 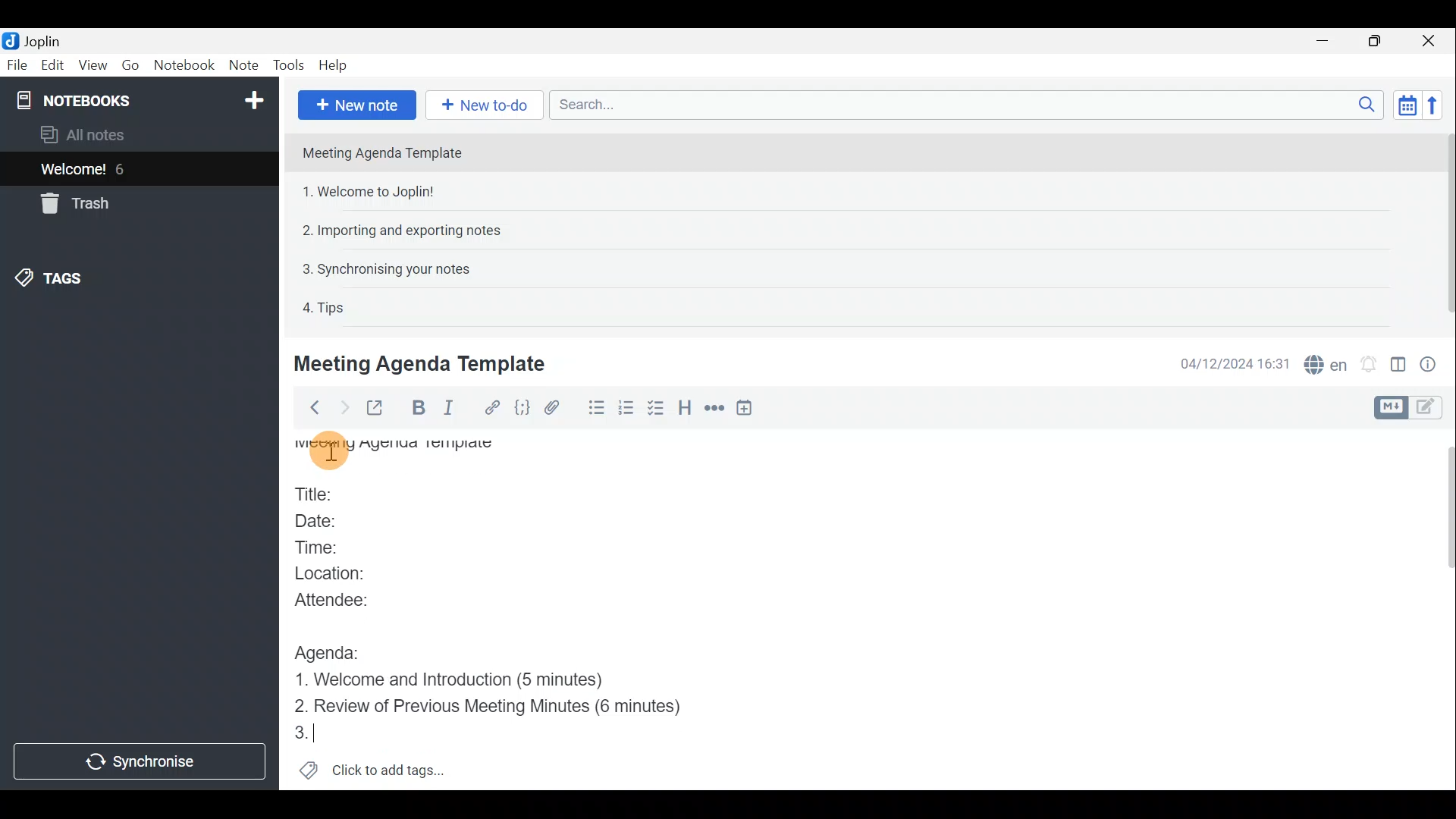 I want to click on Toggle external editing, so click(x=379, y=409).